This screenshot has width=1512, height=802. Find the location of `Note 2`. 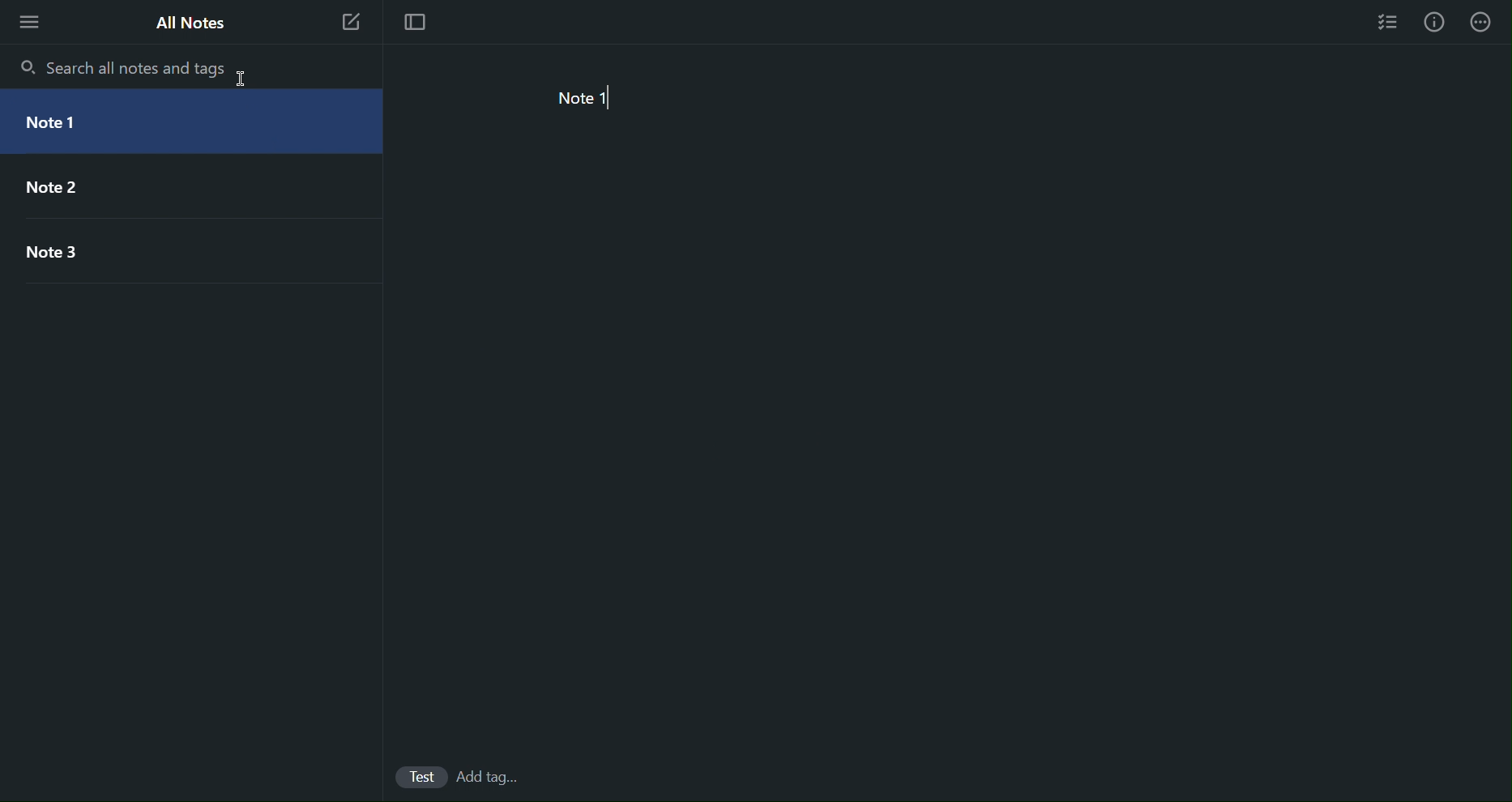

Note 2 is located at coordinates (165, 188).